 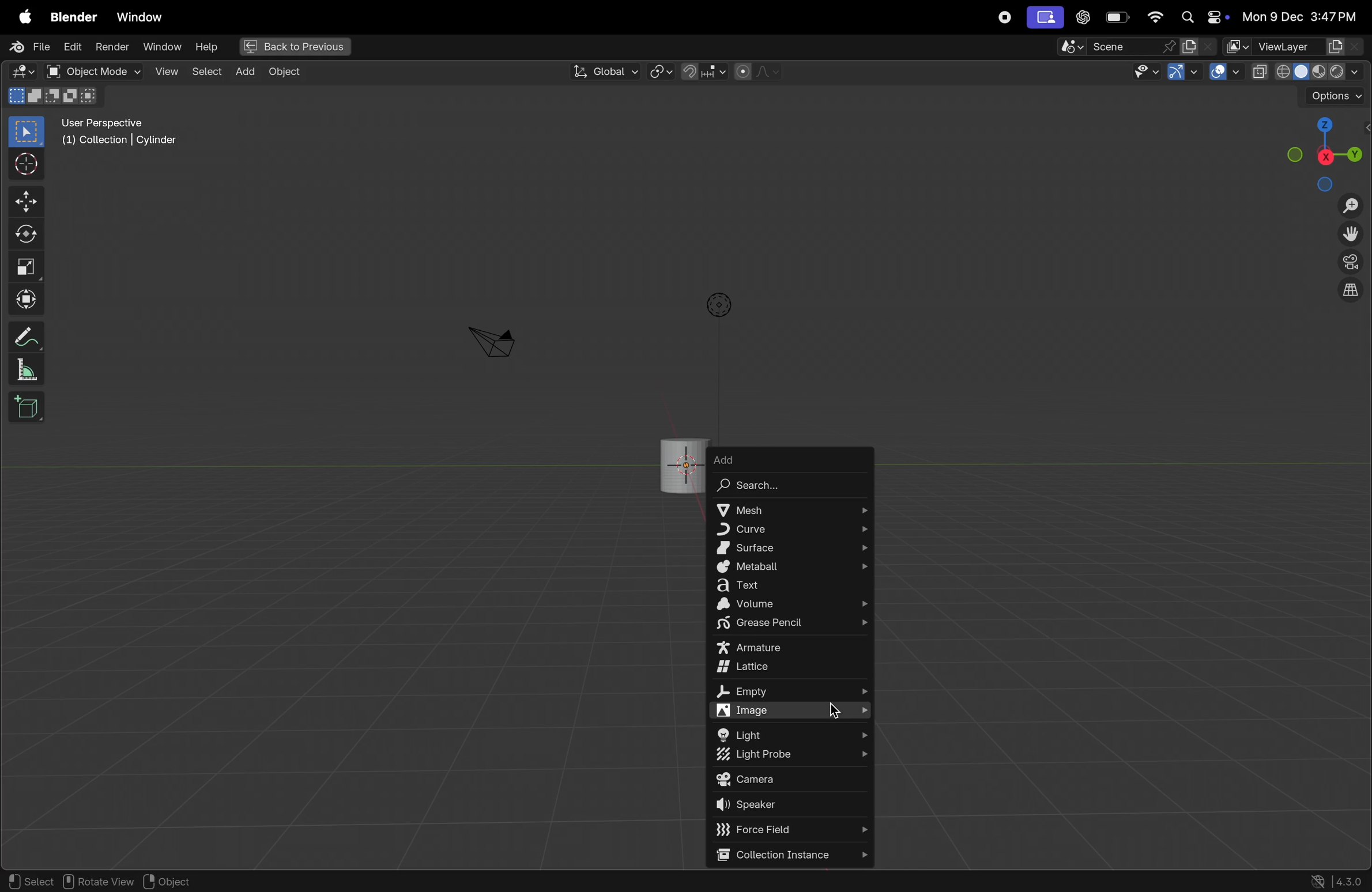 I want to click on 3d cube, so click(x=27, y=407).